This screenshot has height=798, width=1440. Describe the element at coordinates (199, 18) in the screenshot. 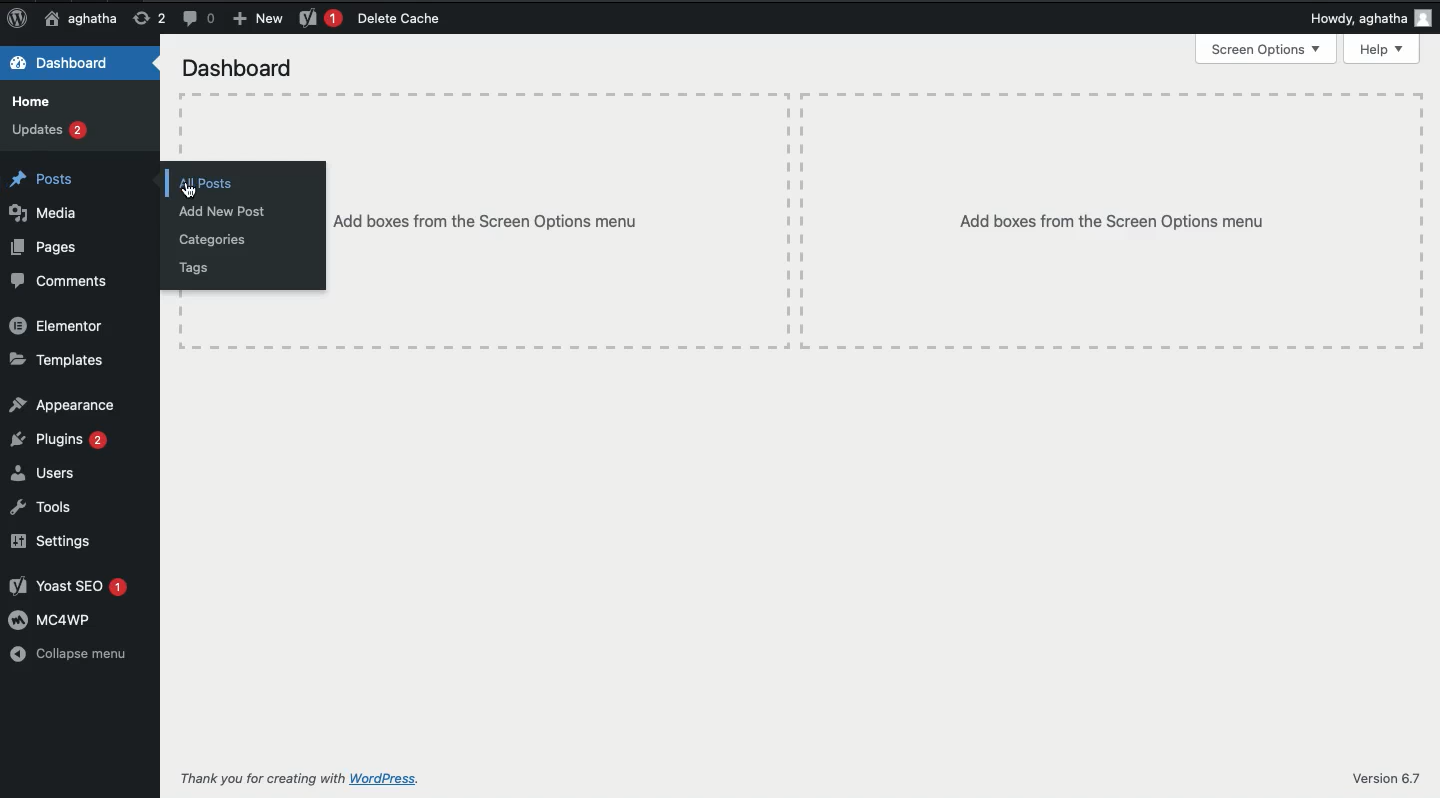

I see `Messages` at that location.